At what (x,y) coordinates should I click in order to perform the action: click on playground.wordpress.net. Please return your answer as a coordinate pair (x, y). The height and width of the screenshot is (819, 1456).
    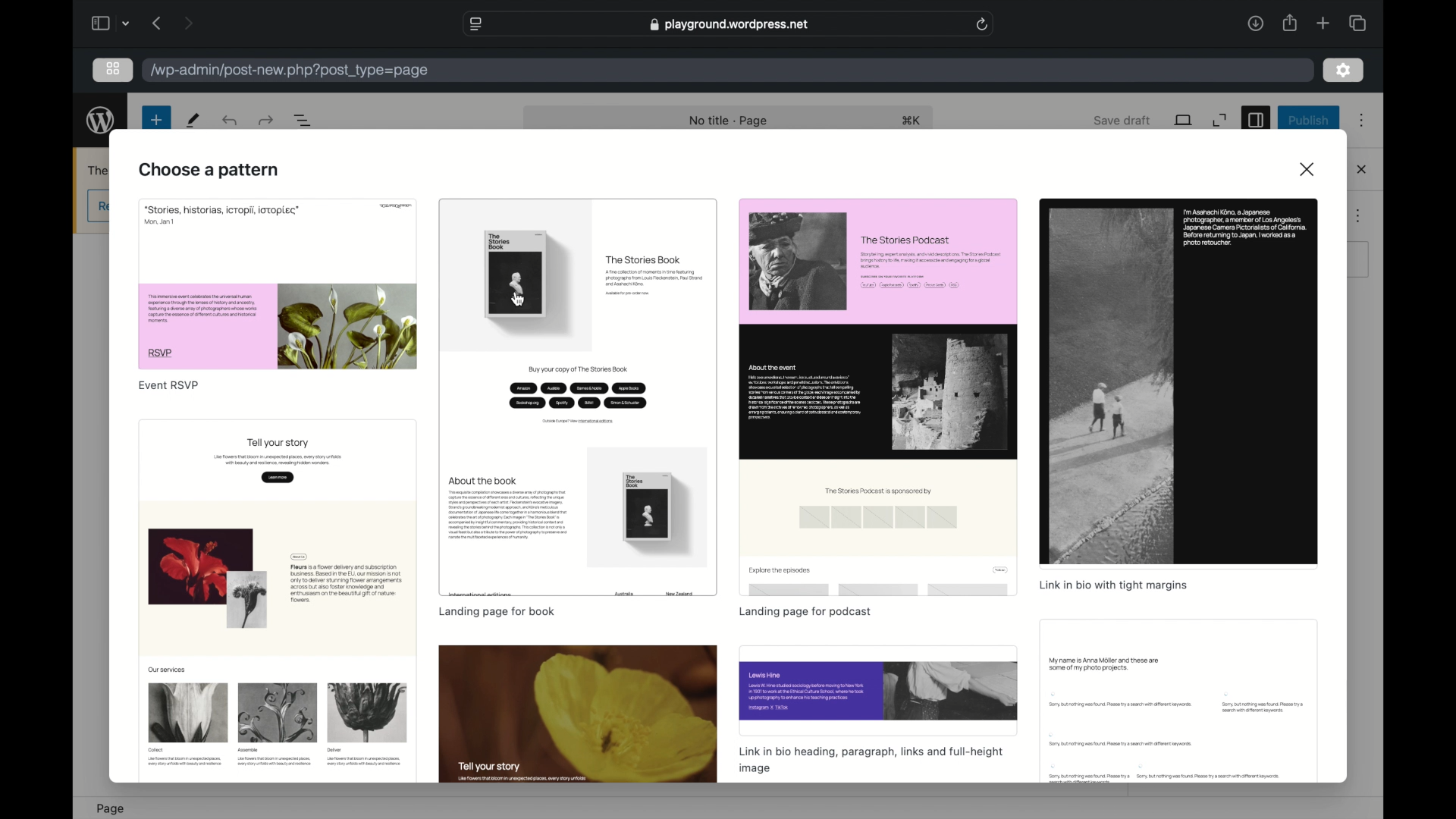
    Looking at the image, I should click on (730, 24).